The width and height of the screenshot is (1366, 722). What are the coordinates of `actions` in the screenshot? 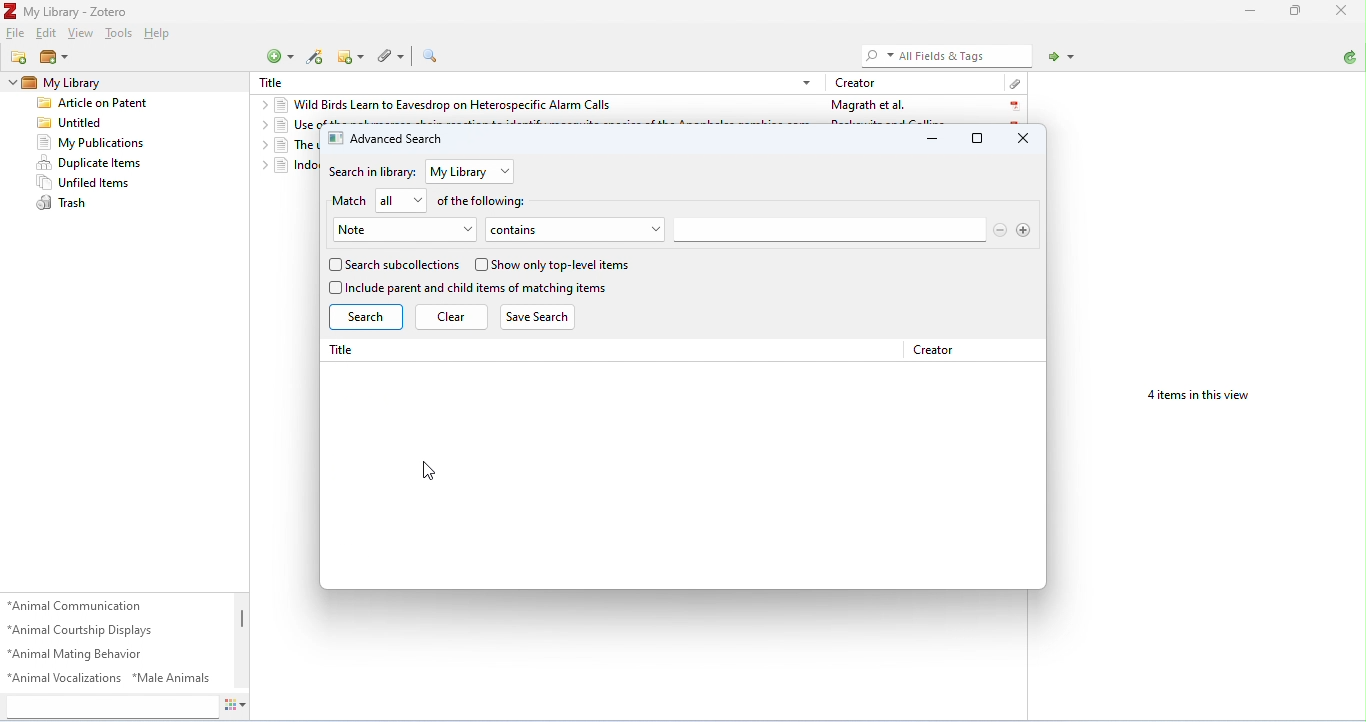 It's located at (234, 704).